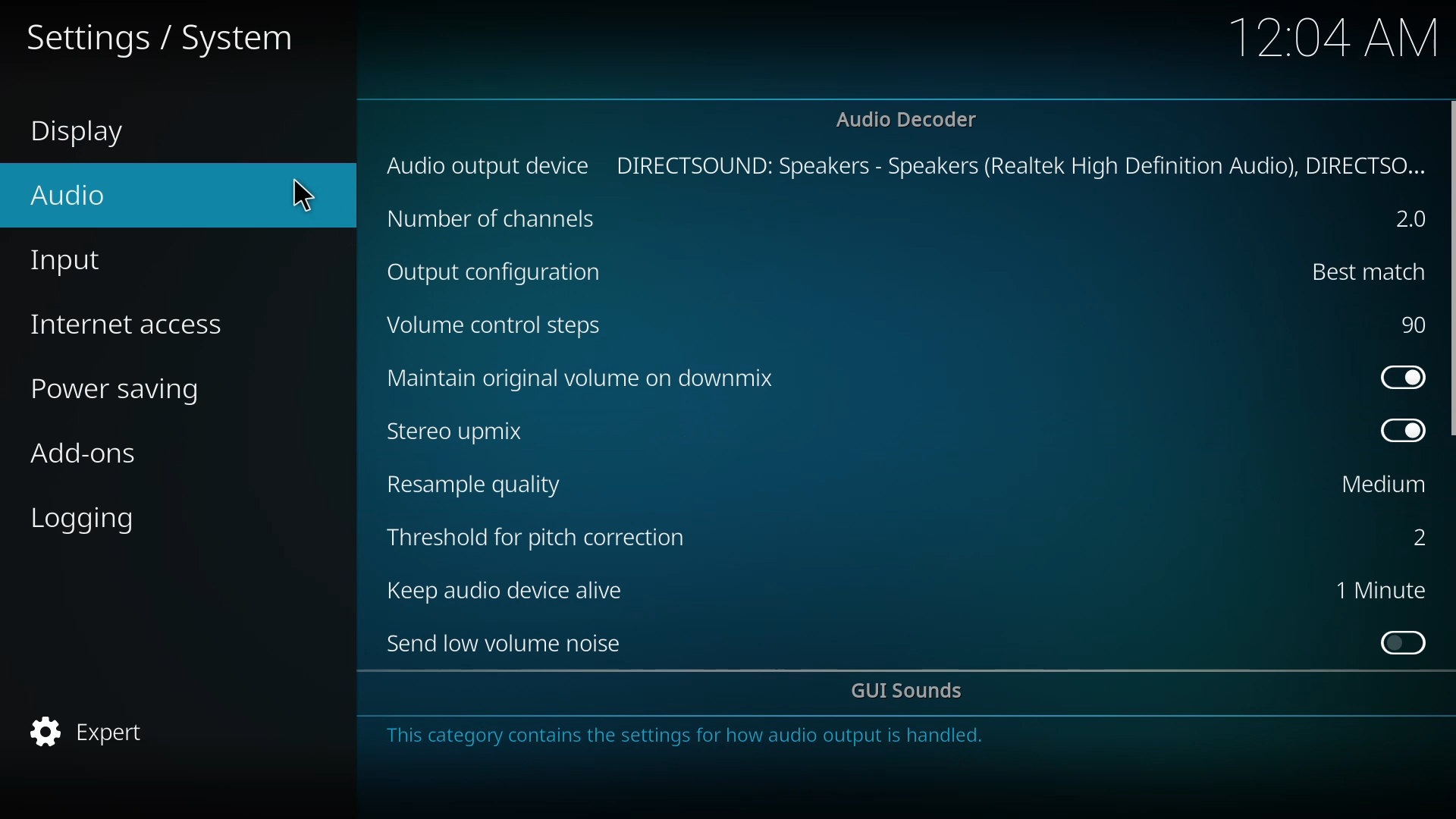 Image resolution: width=1456 pixels, height=819 pixels. I want to click on medium, so click(1379, 486).